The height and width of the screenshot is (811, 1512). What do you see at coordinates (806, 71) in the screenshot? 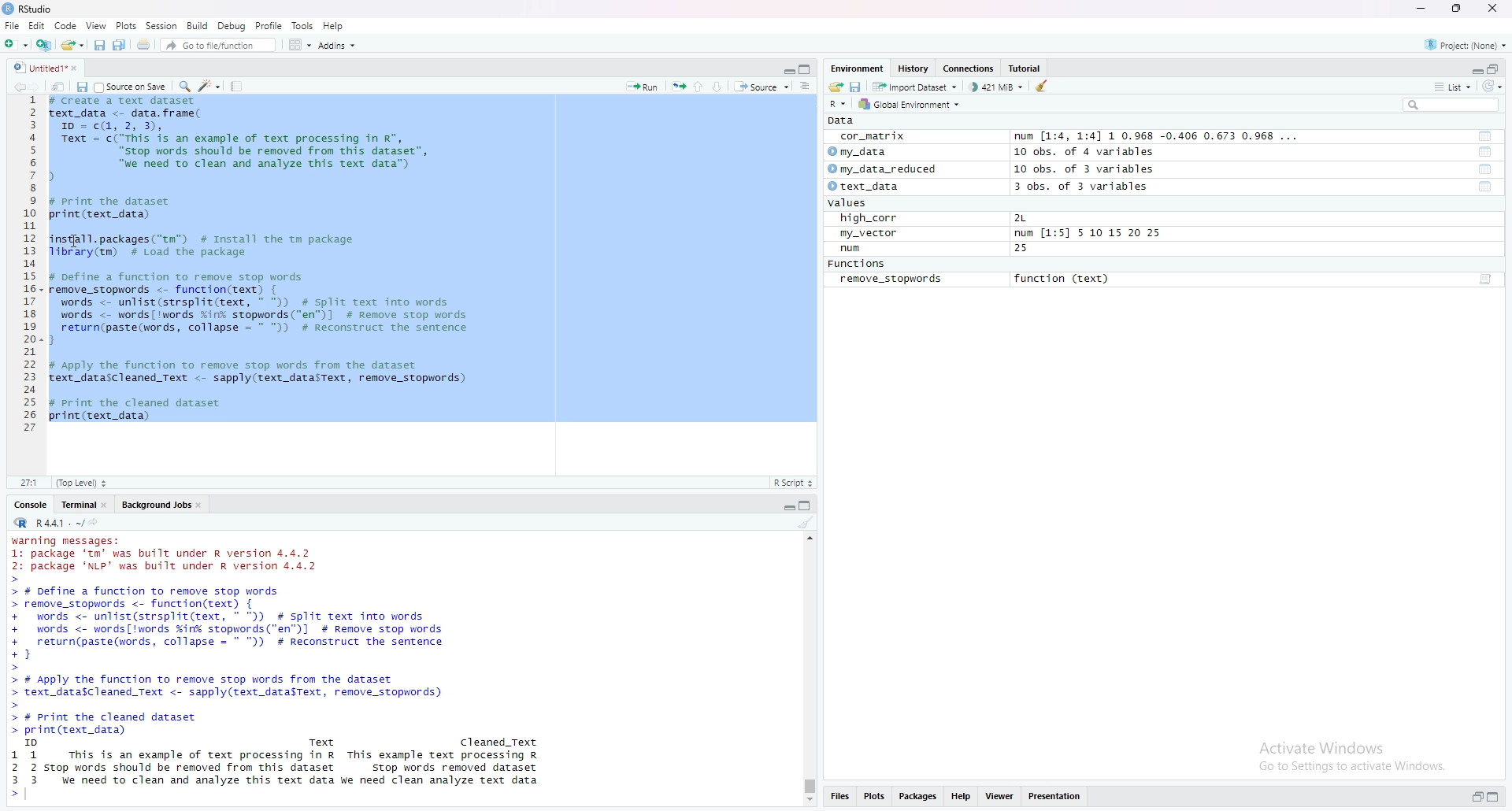
I see `collapse` at bounding box center [806, 71].